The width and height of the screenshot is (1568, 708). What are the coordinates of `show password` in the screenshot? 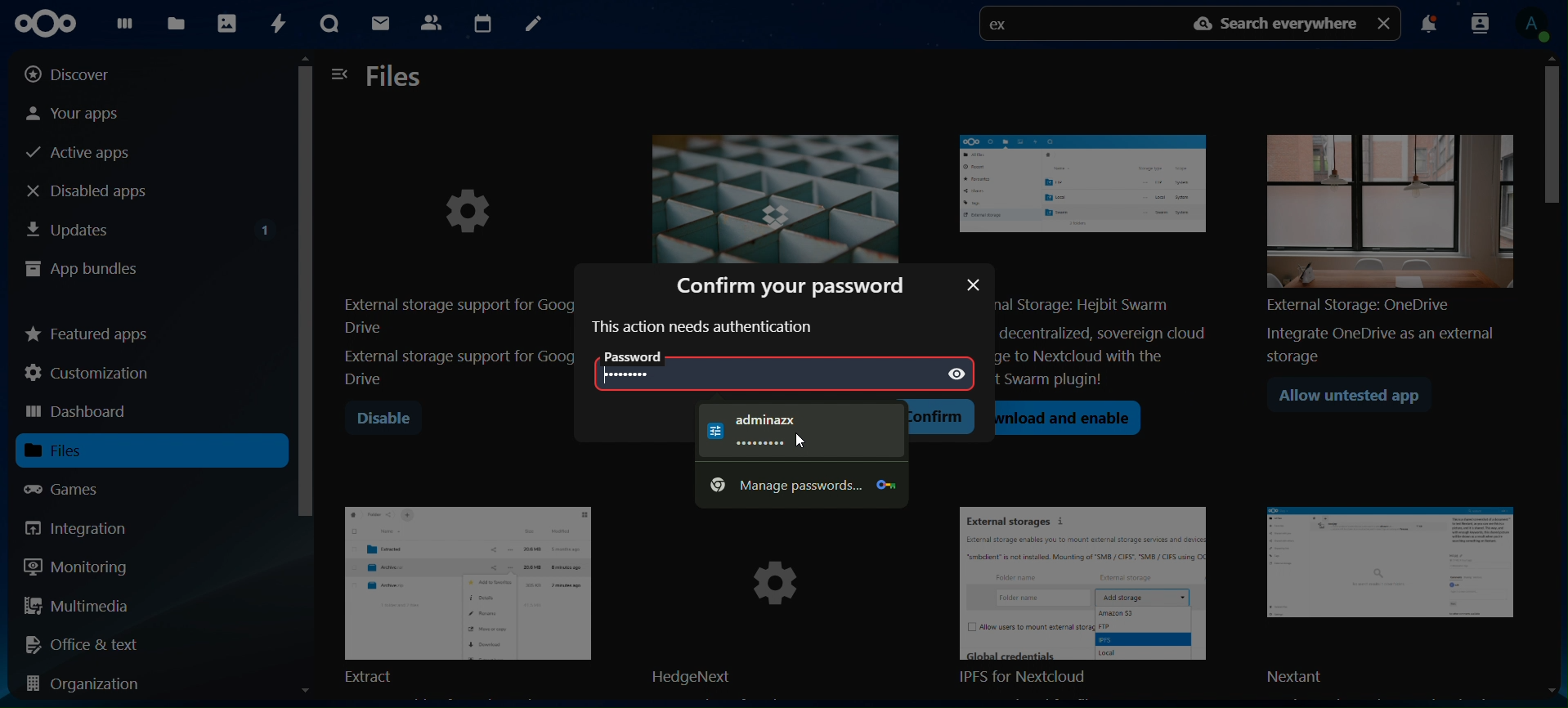 It's located at (956, 374).